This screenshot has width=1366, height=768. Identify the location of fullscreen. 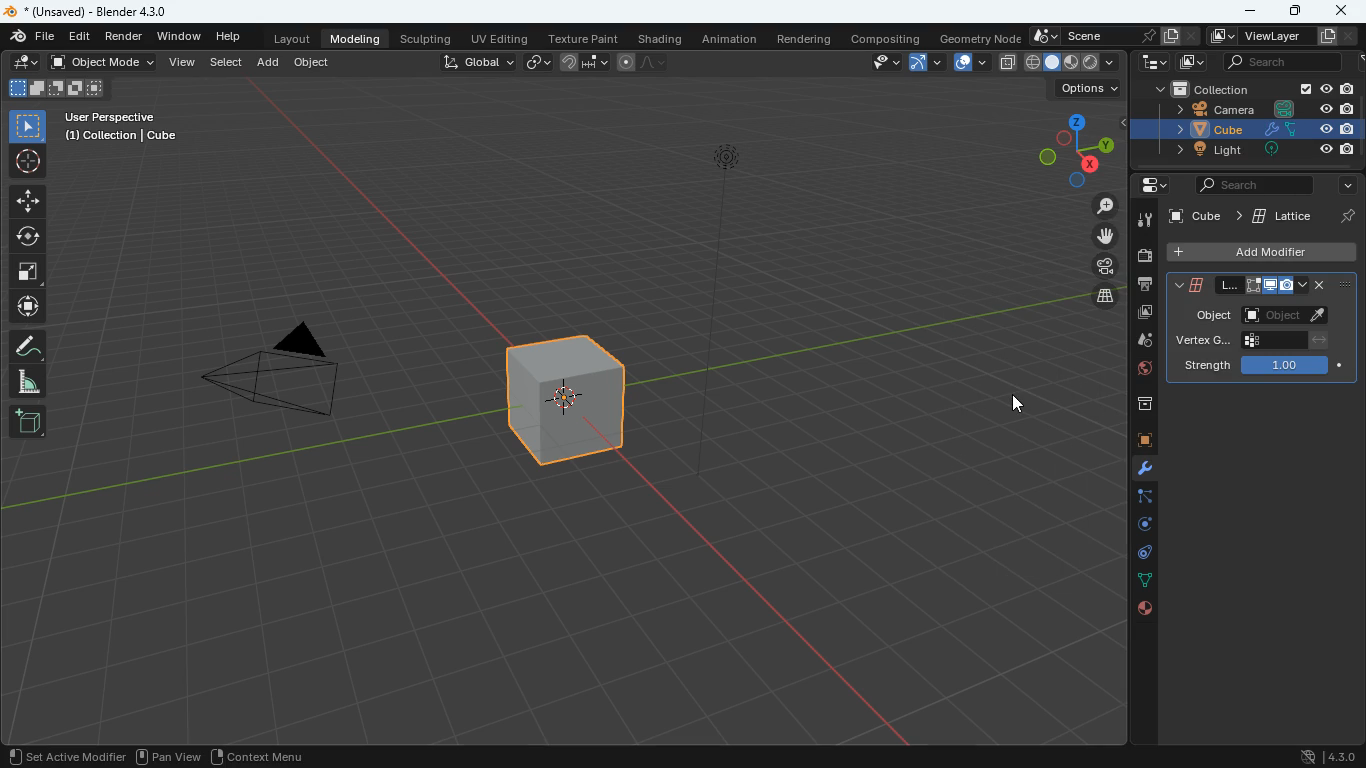
(32, 273).